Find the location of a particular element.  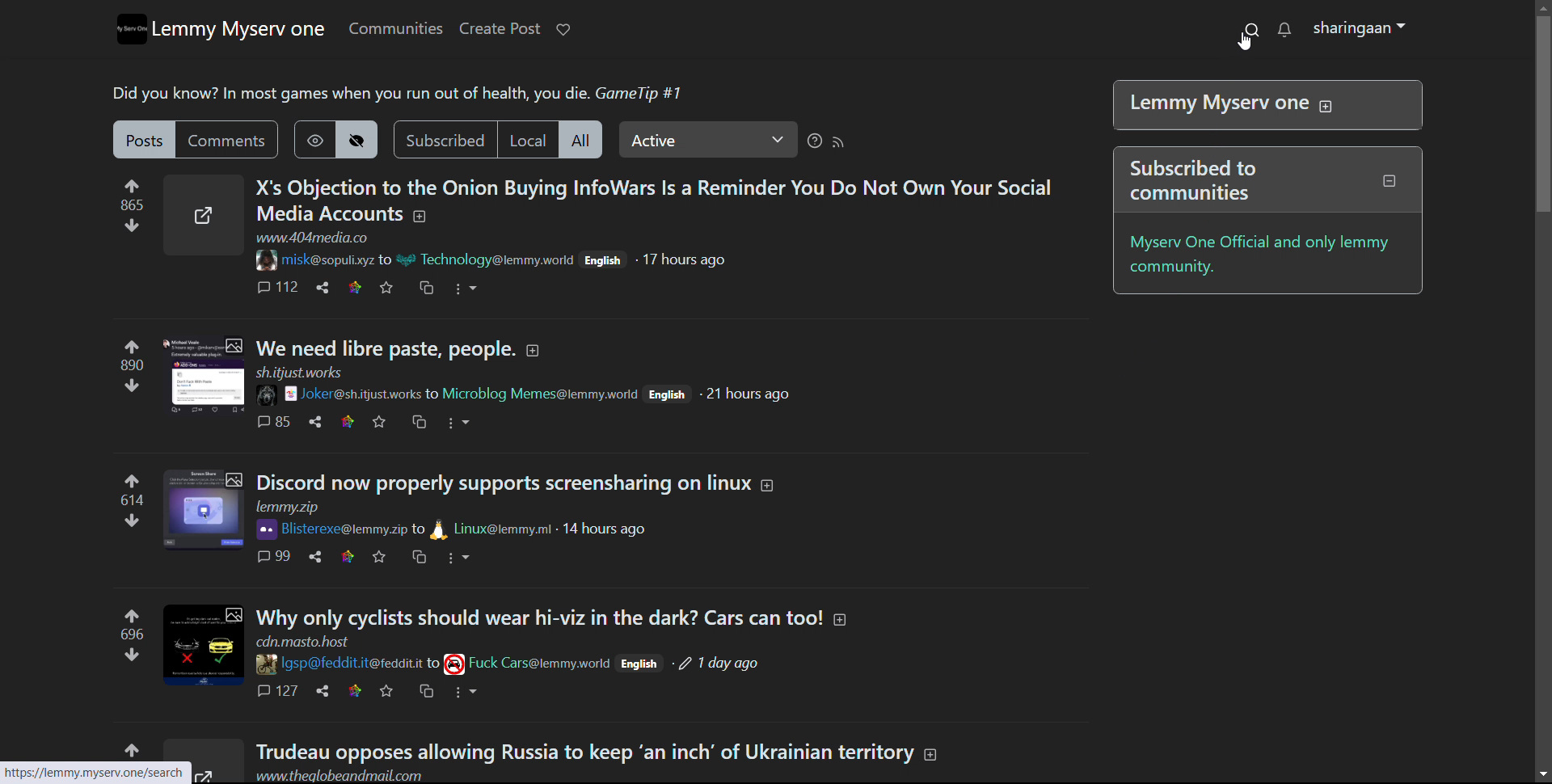

Myserv one official and only lemmy community is located at coordinates (1263, 252).